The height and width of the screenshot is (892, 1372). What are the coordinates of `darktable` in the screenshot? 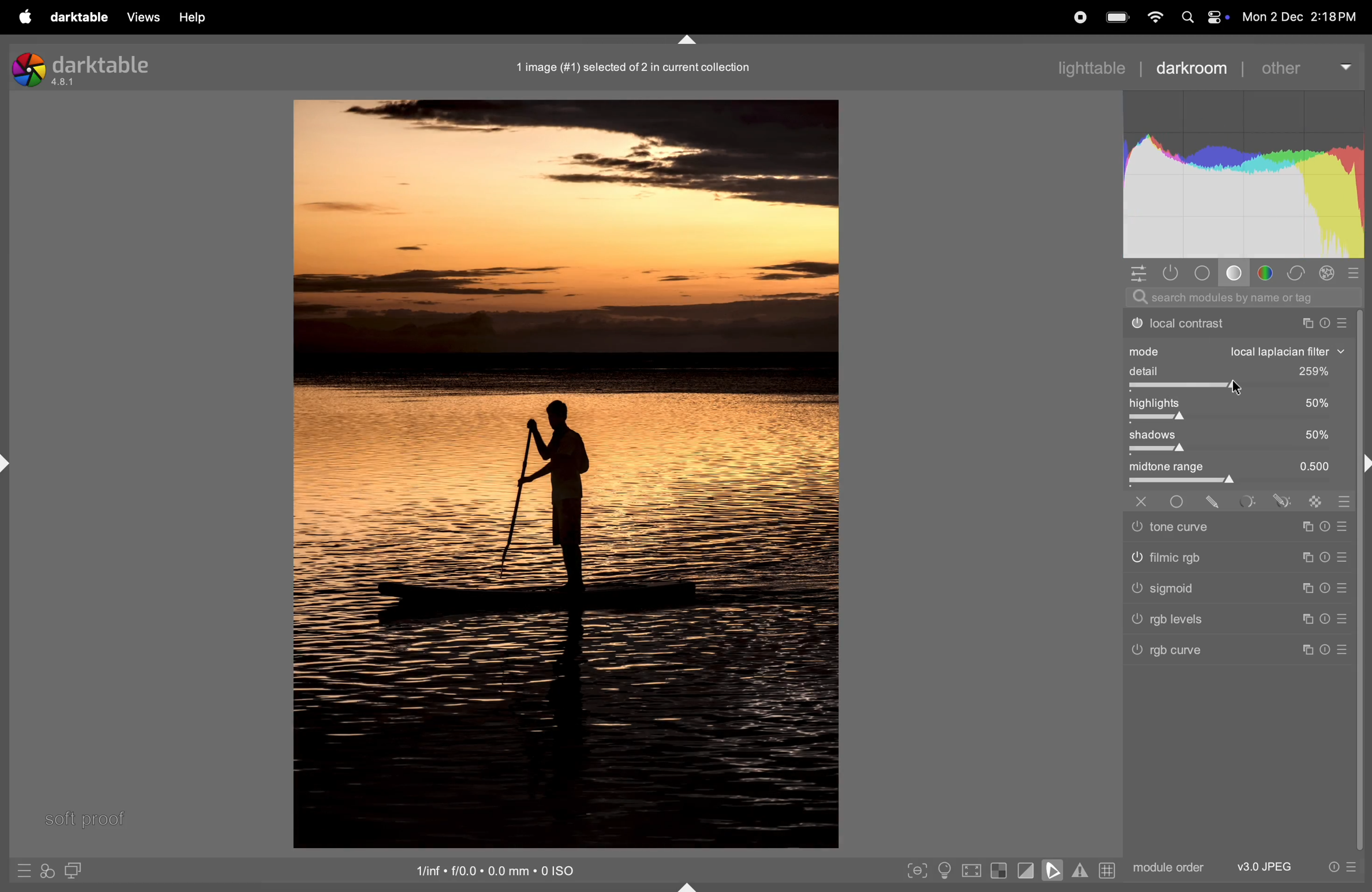 It's located at (79, 17).